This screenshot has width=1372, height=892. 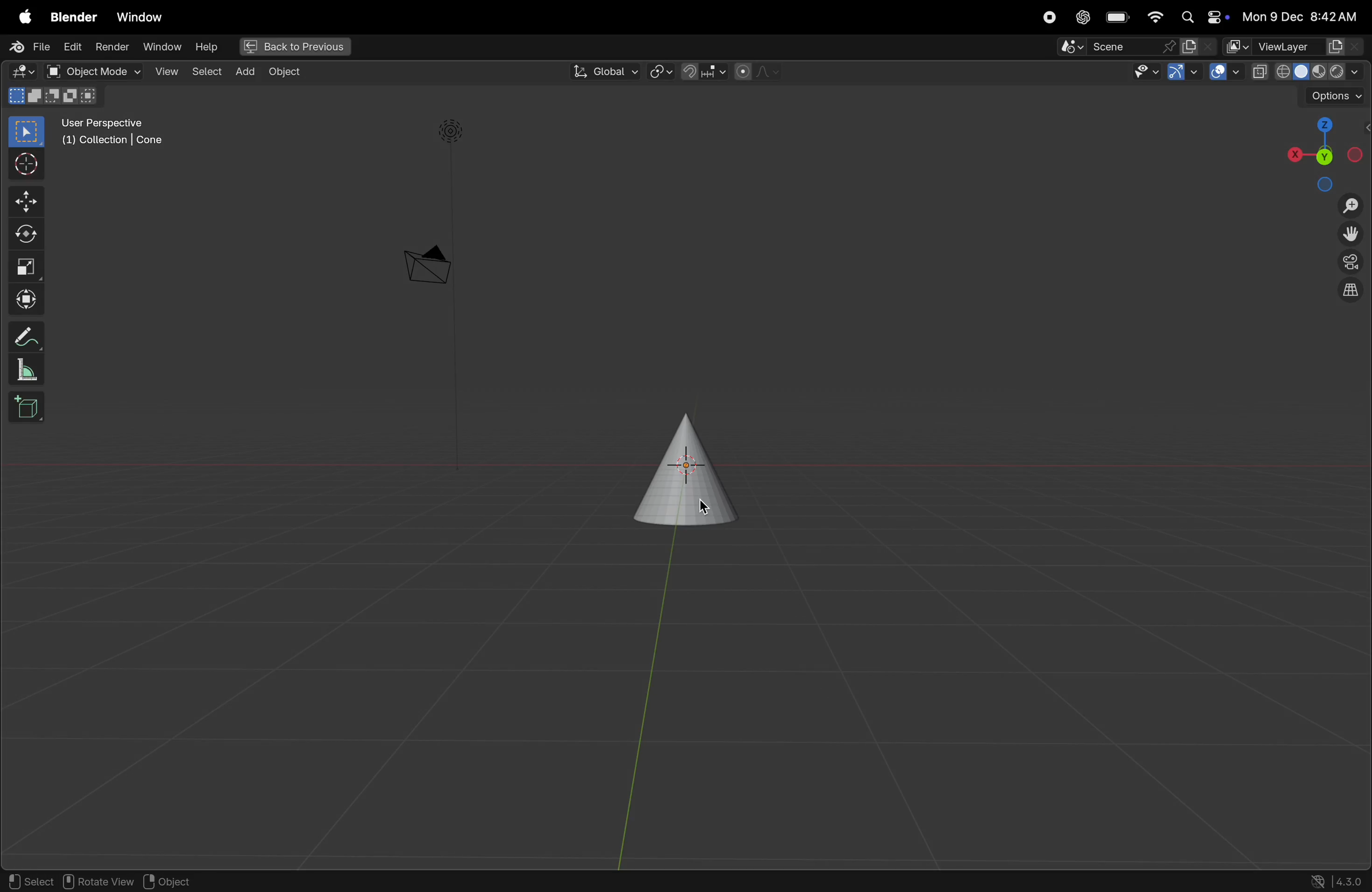 What do you see at coordinates (1335, 880) in the screenshot?
I see `version` at bounding box center [1335, 880].